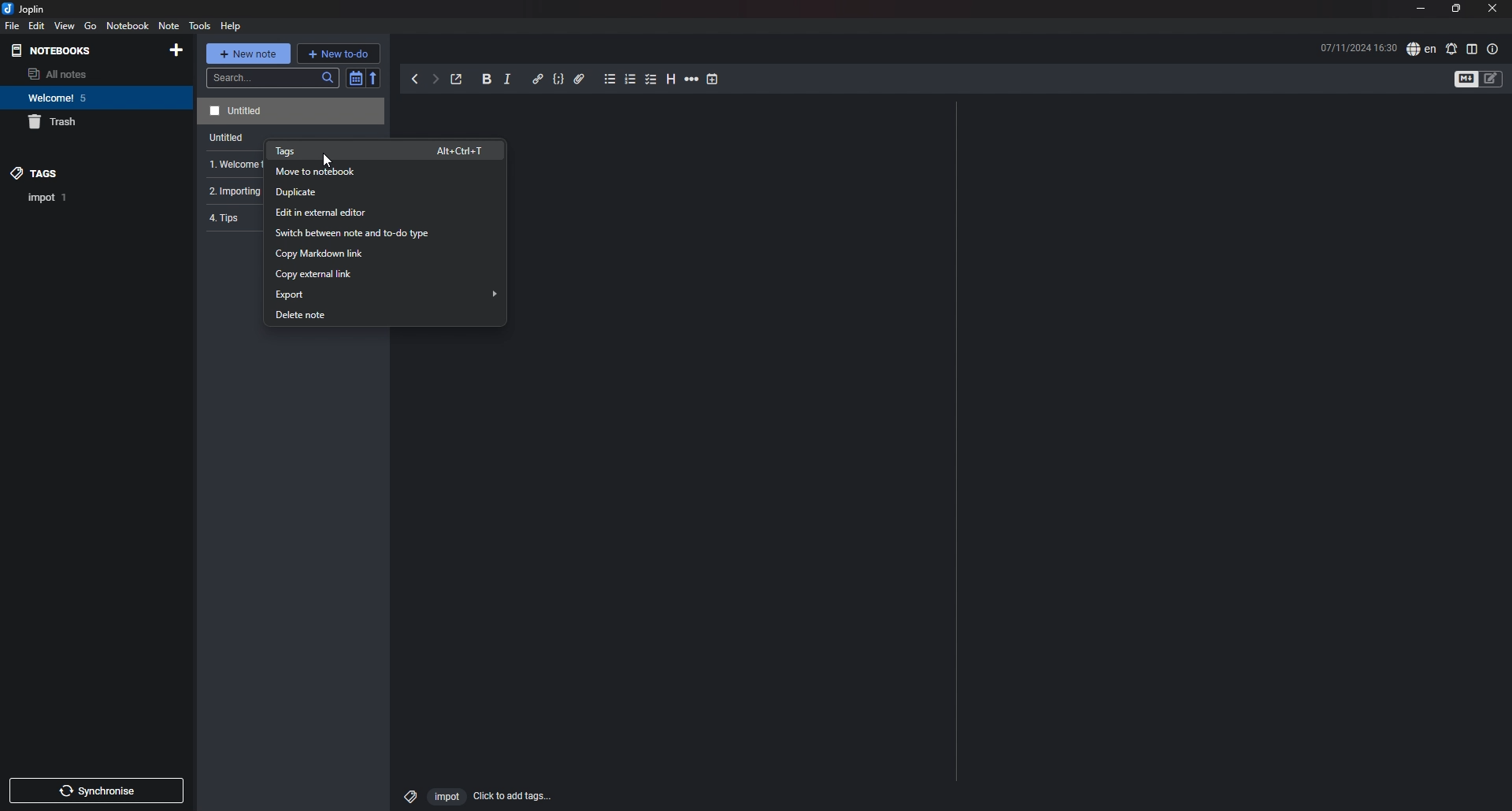 This screenshot has width=1512, height=811. Describe the element at coordinates (221, 139) in the screenshot. I see `Untitled` at that location.